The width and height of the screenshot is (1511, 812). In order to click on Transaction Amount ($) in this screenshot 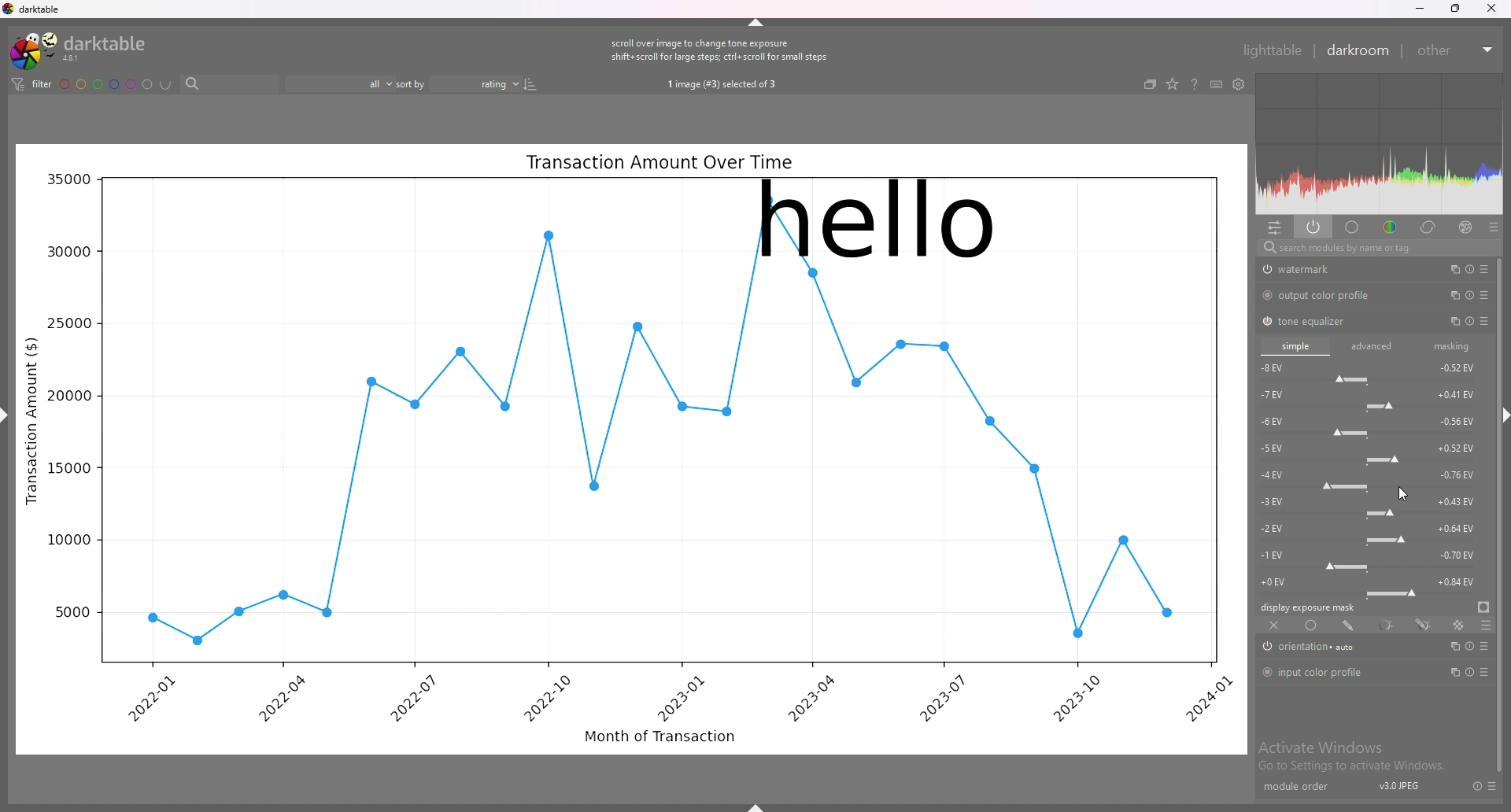, I will do `click(32, 419)`.